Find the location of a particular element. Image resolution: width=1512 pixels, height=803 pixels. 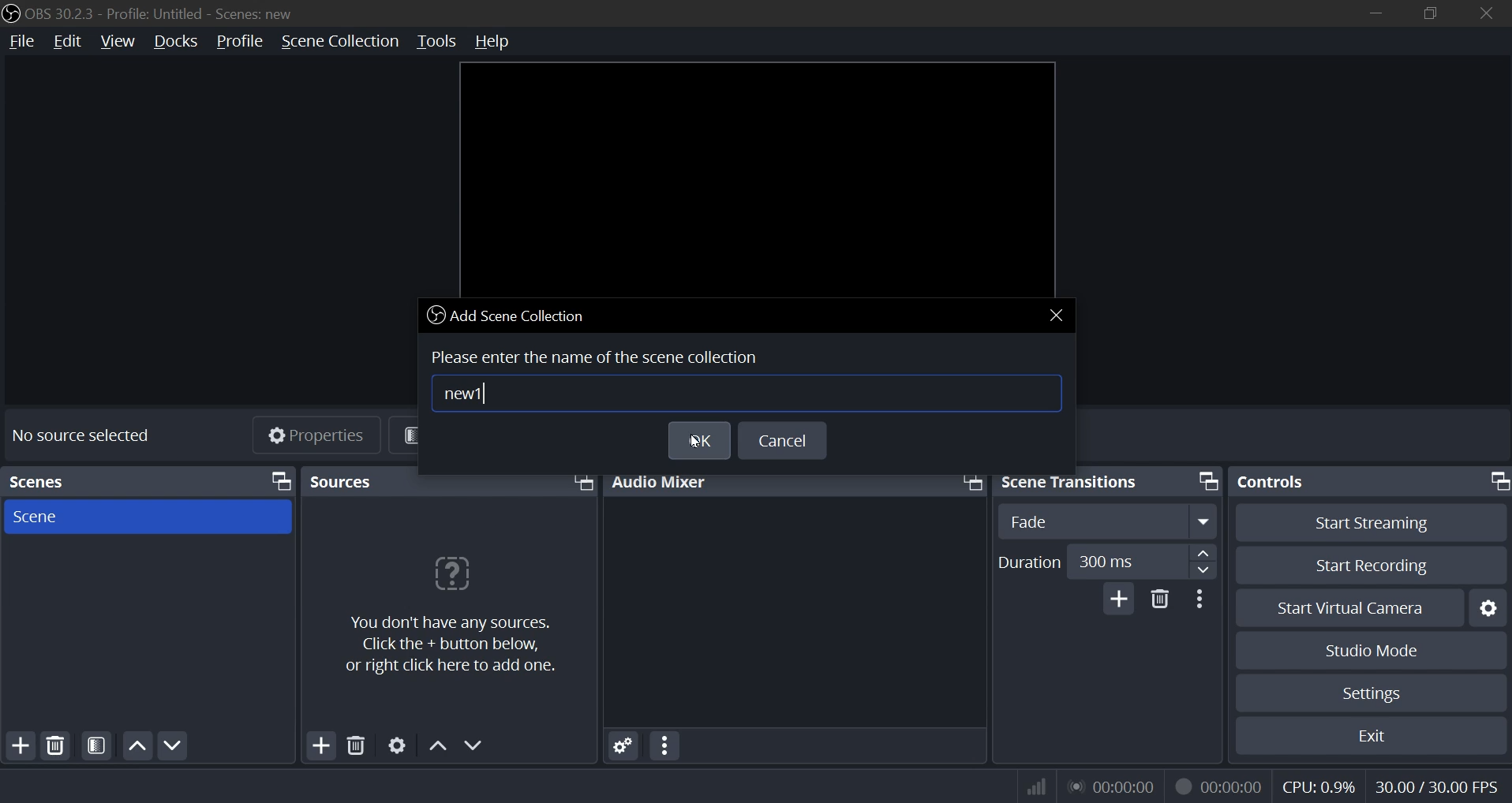

close is located at coordinates (1484, 13).